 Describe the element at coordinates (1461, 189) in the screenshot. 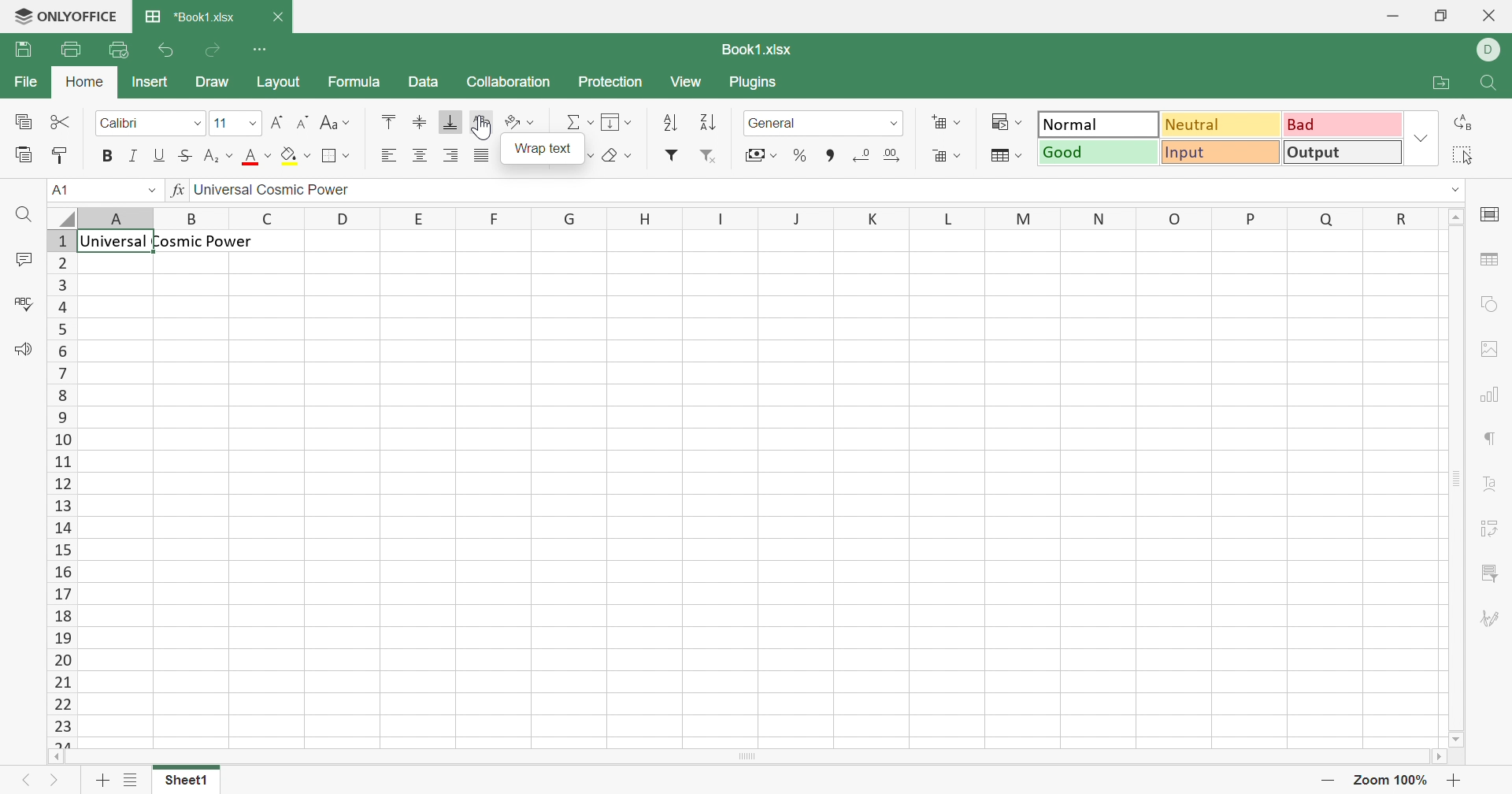

I see `Drop Down` at that location.